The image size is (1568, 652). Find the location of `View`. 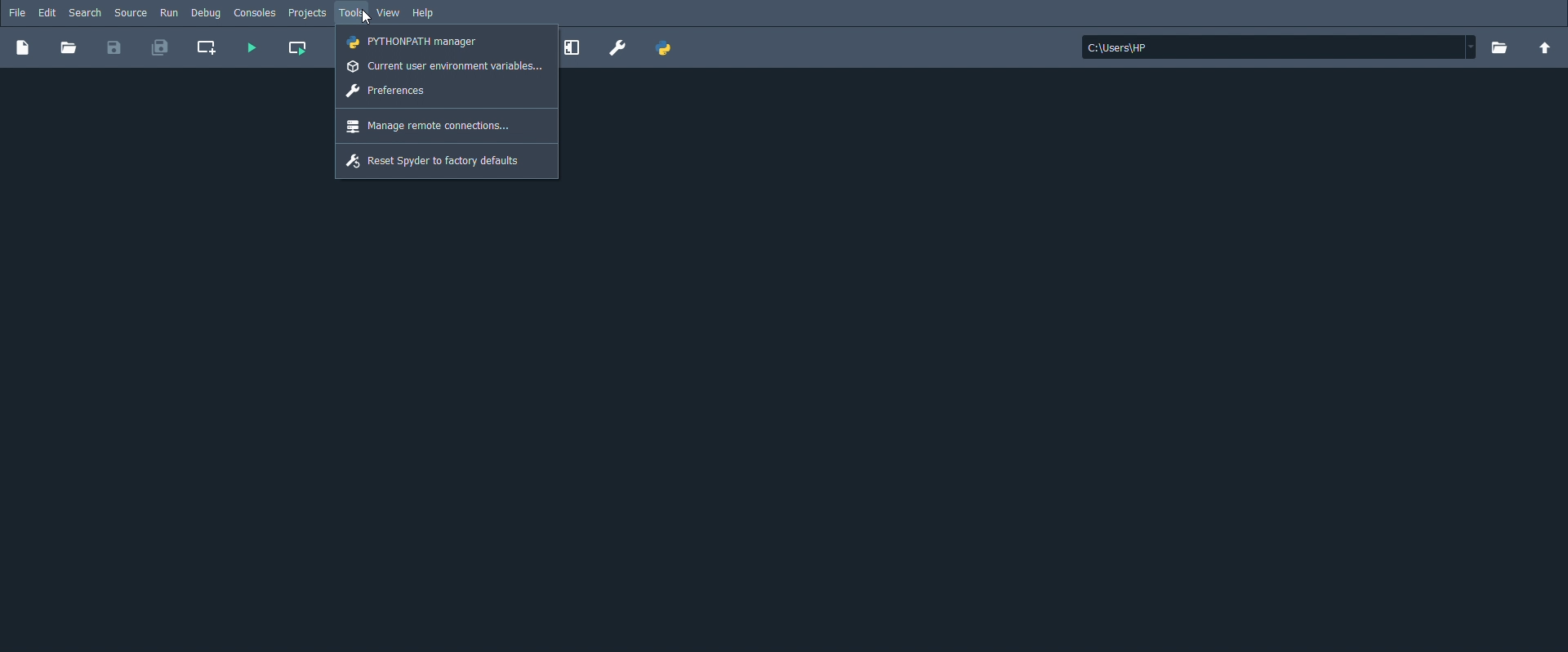

View is located at coordinates (388, 14).